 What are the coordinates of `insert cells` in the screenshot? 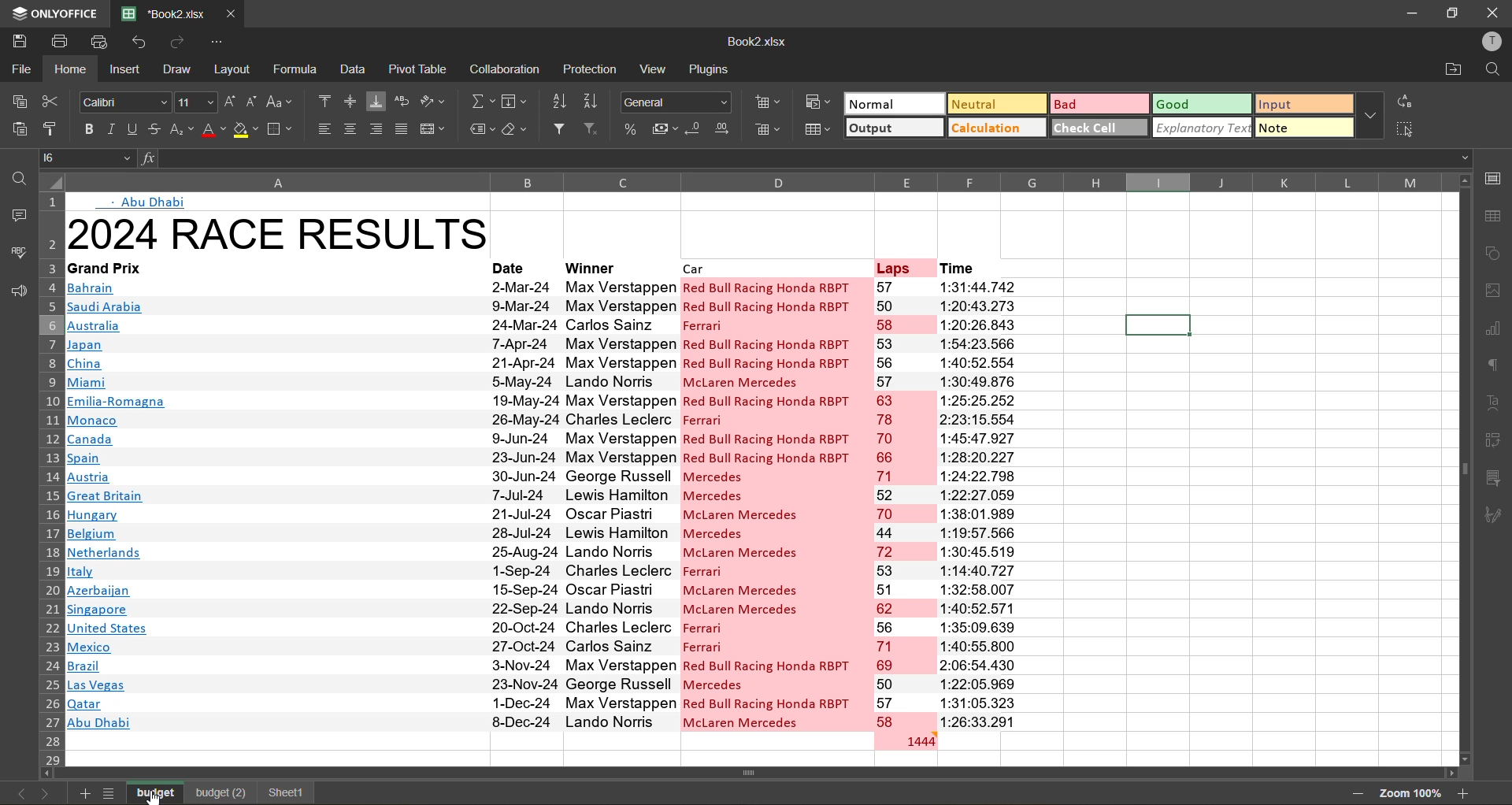 It's located at (770, 106).